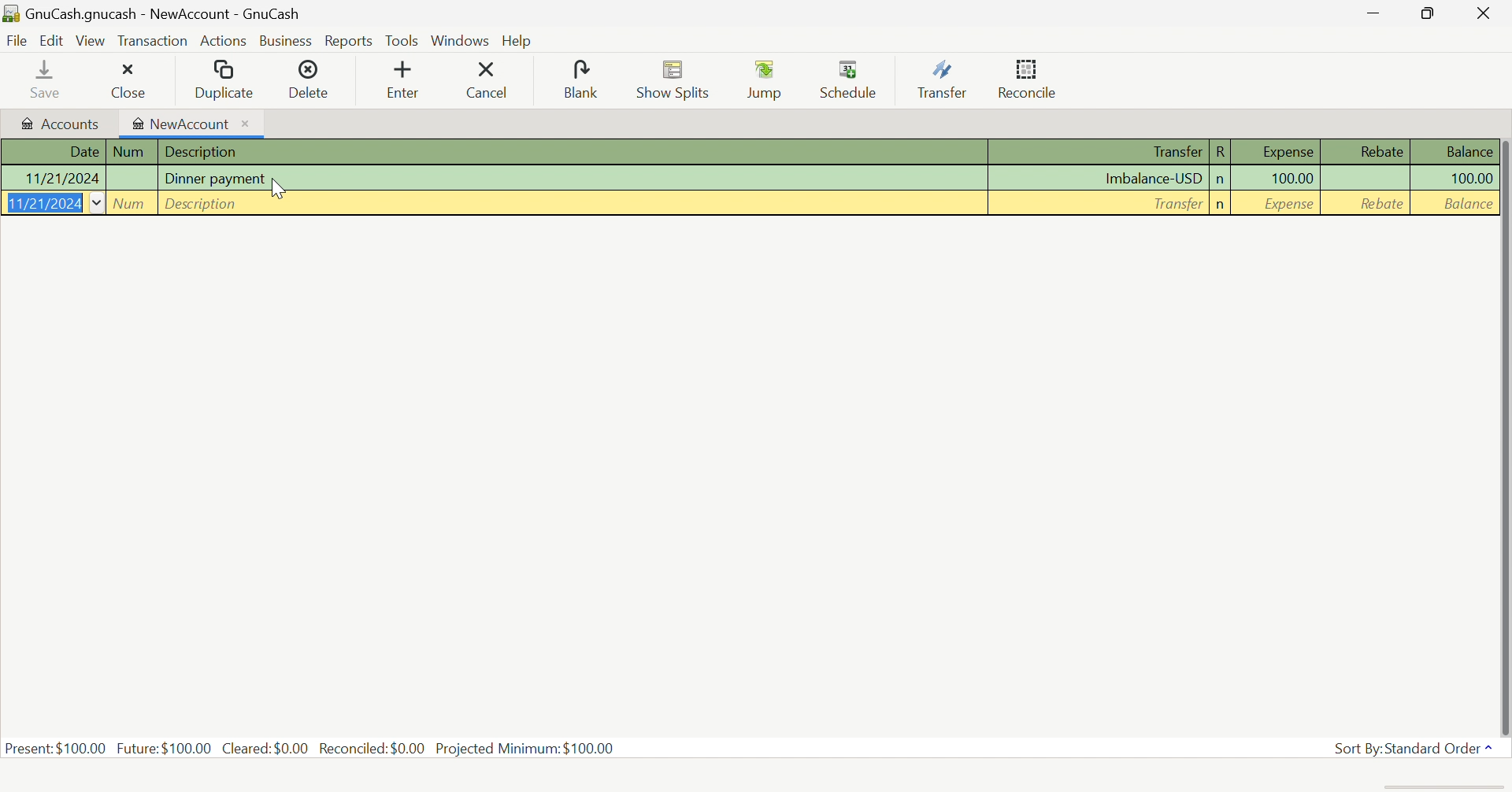 Image resolution: width=1512 pixels, height=792 pixels. What do you see at coordinates (372, 749) in the screenshot?
I see `Reconciled: $0.00` at bounding box center [372, 749].